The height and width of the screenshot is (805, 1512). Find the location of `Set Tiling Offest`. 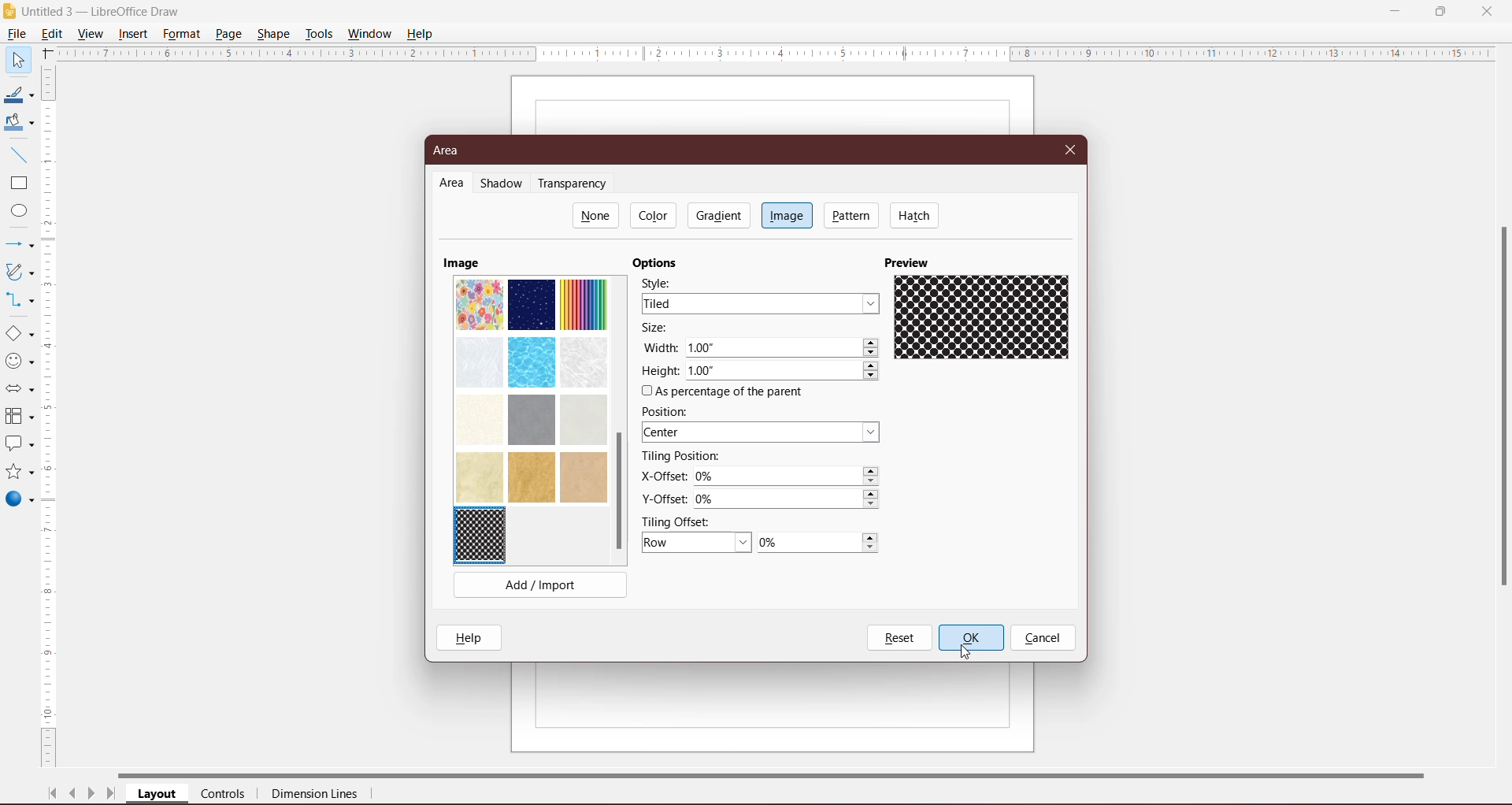

Set Tiling Offest is located at coordinates (697, 543).